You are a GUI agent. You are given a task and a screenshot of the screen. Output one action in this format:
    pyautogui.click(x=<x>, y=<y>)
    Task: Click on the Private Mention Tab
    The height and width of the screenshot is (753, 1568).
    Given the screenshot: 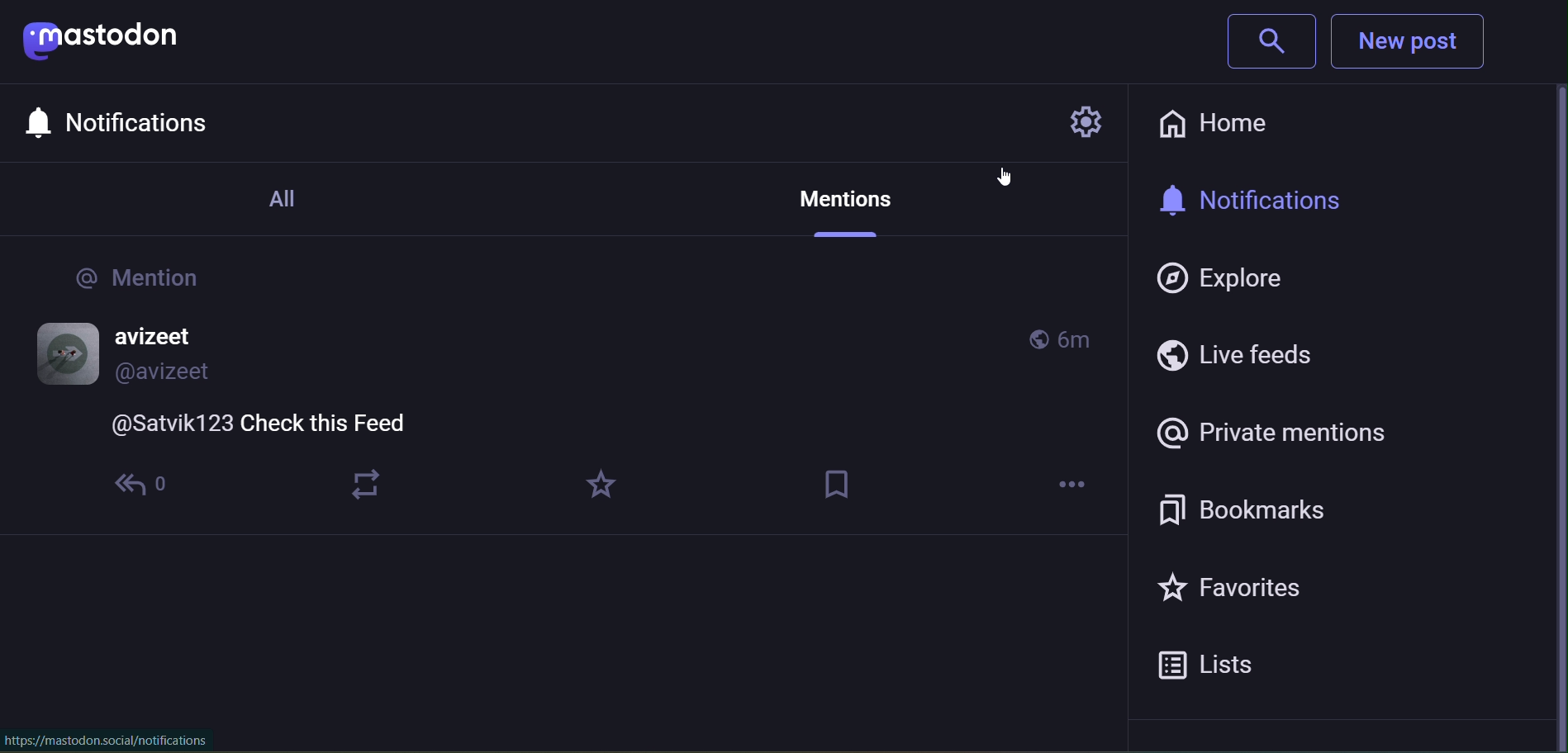 What is the action you would take?
    pyautogui.click(x=846, y=212)
    